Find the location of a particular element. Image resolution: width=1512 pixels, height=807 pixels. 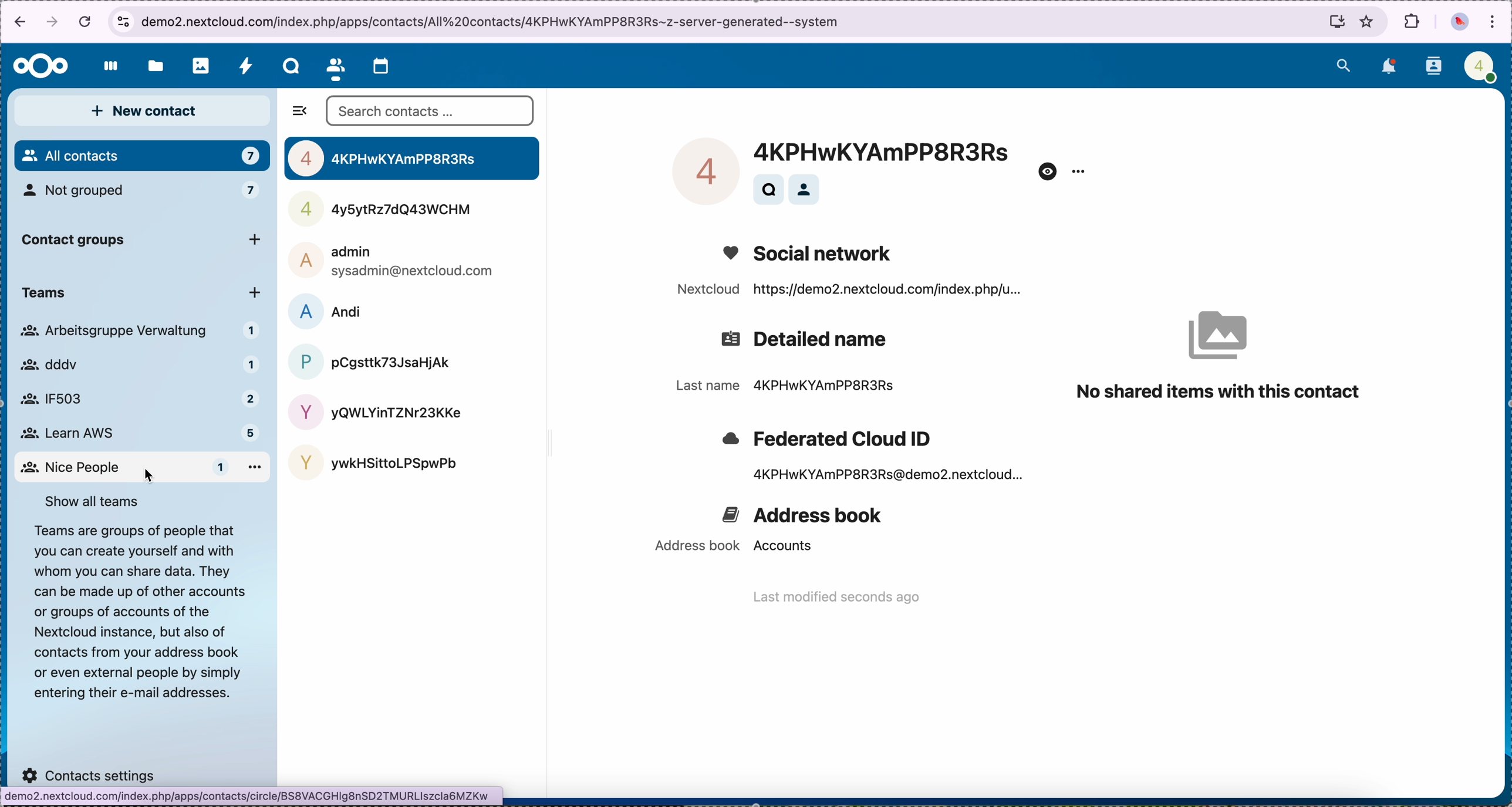

extensions is located at coordinates (1411, 23).